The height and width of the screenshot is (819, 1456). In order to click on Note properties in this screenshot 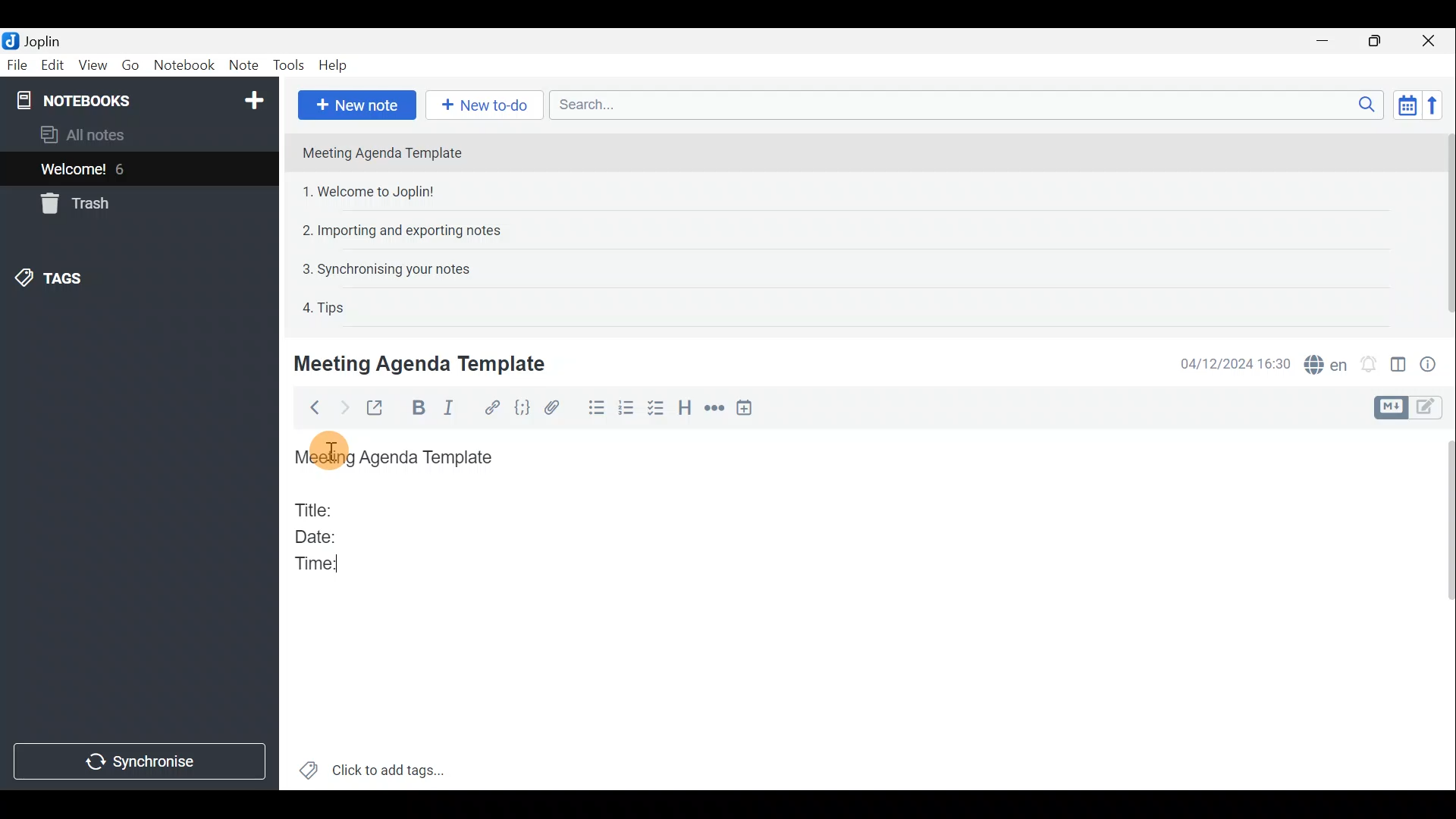, I will do `click(1433, 363)`.